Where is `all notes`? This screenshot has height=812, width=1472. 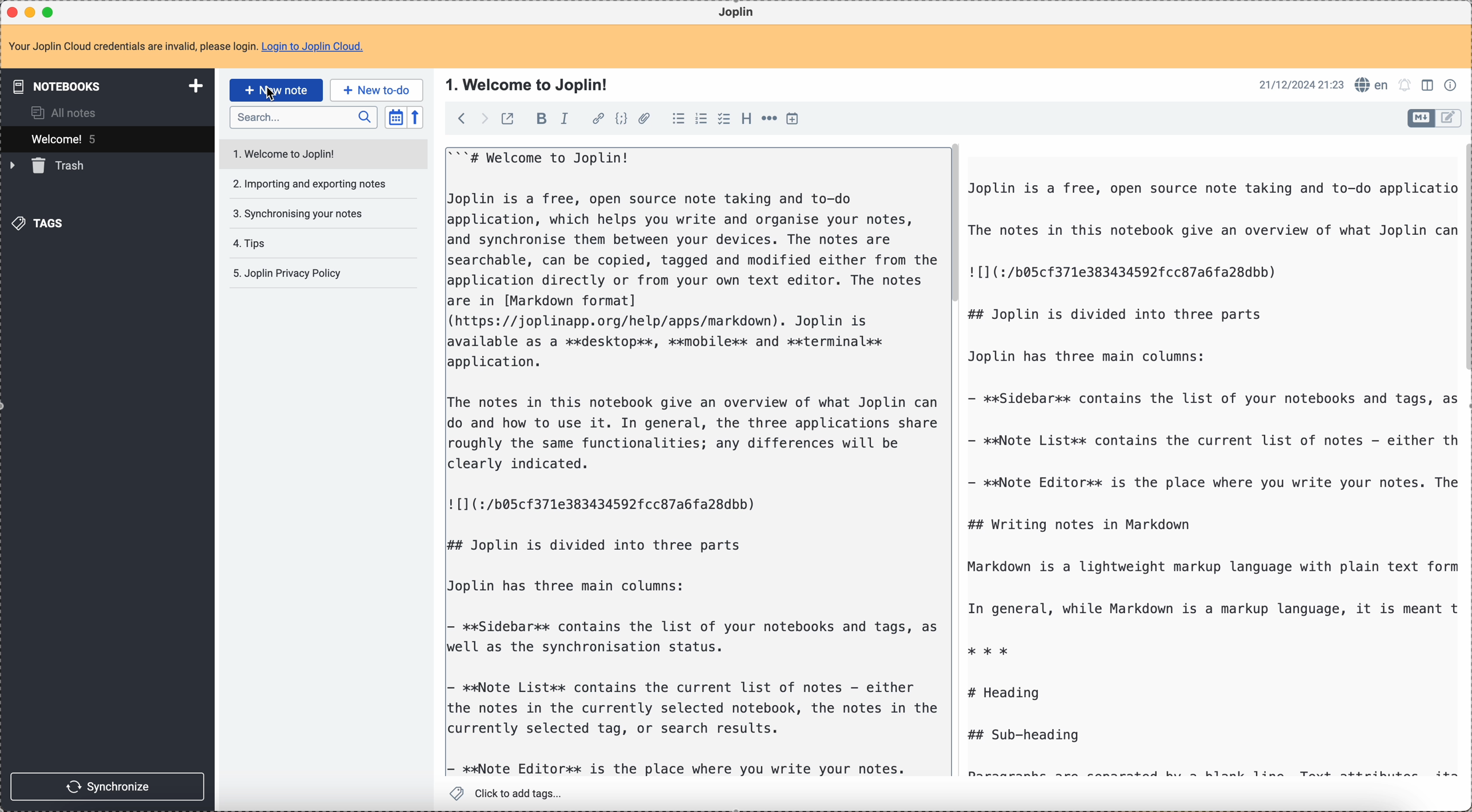
all notes is located at coordinates (59, 113).